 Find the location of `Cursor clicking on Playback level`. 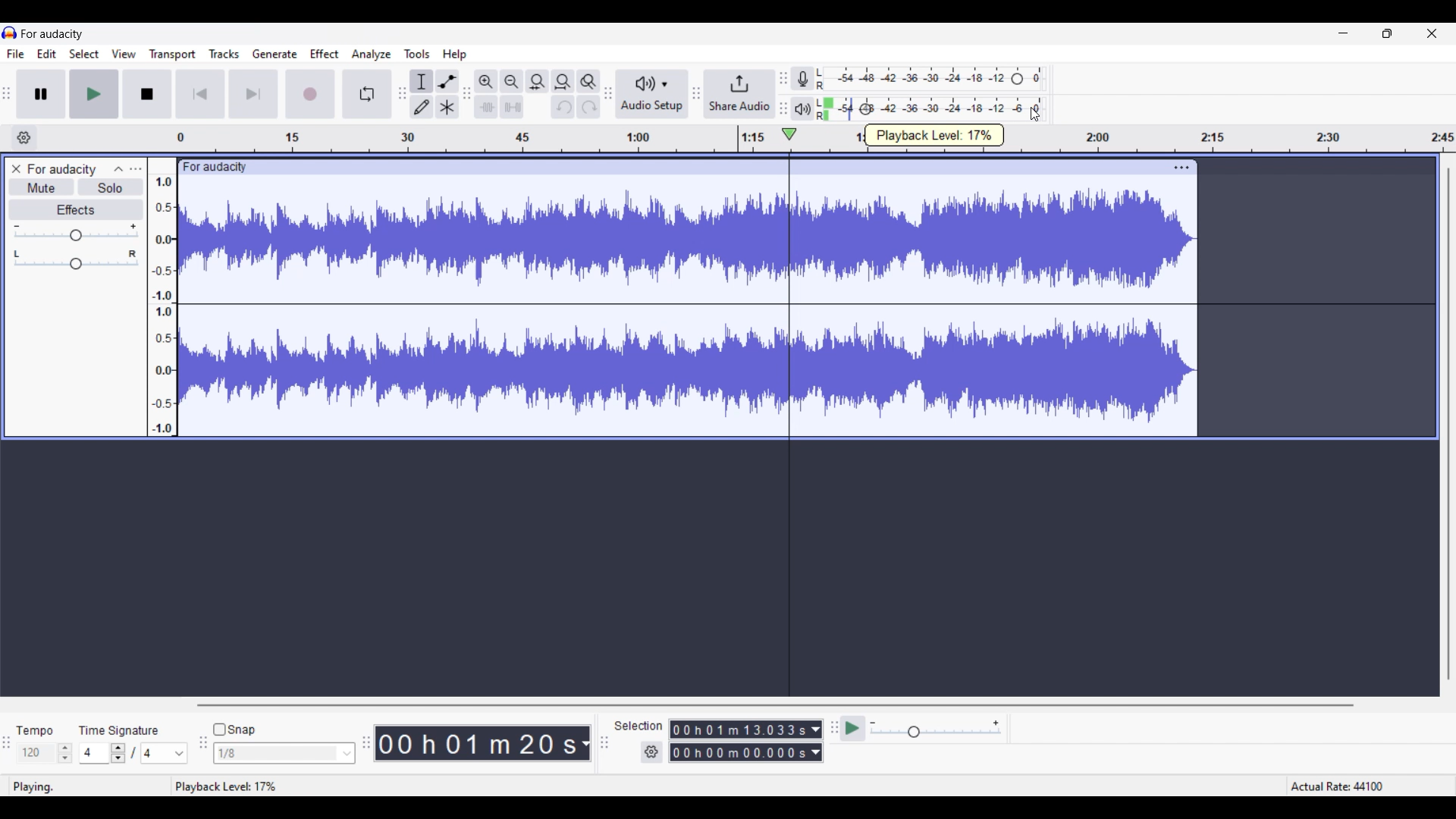

Cursor clicking on Playback level is located at coordinates (1035, 115).